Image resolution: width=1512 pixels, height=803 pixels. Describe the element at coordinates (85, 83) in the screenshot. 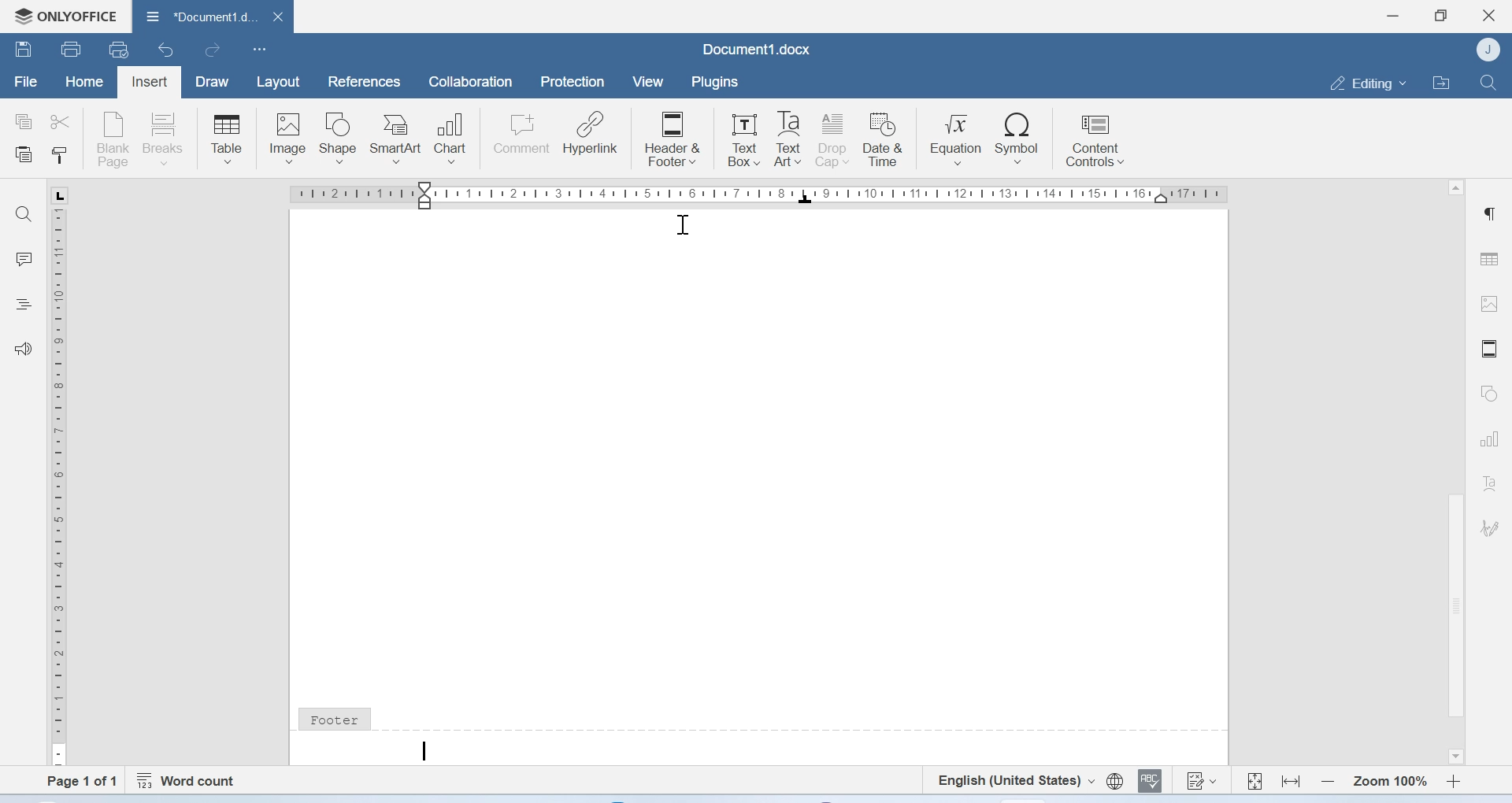

I see `Home` at that location.